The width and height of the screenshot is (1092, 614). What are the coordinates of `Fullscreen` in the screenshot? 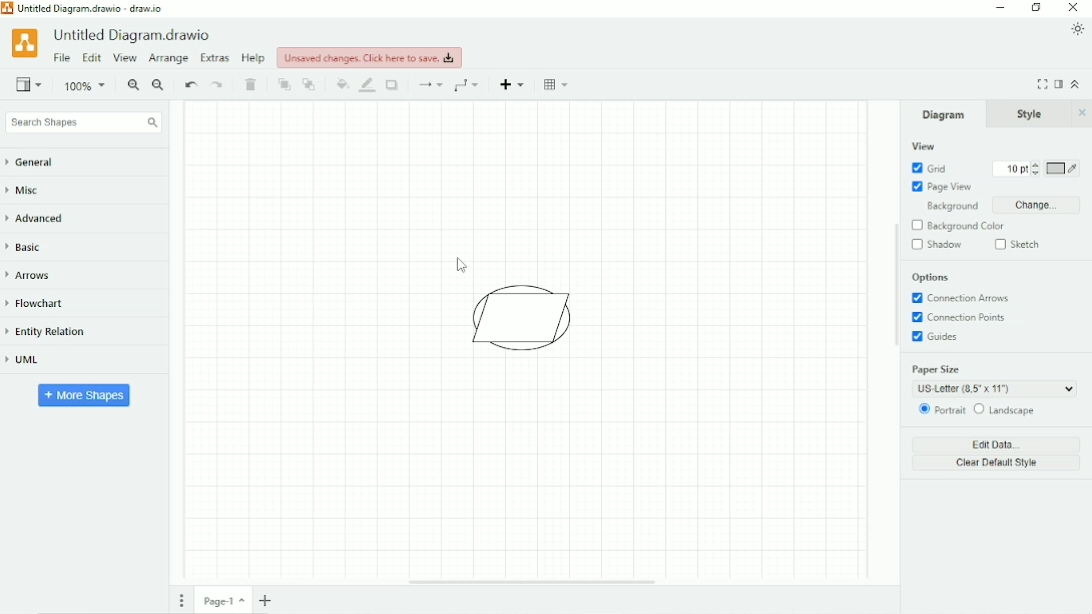 It's located at (1042, 84).